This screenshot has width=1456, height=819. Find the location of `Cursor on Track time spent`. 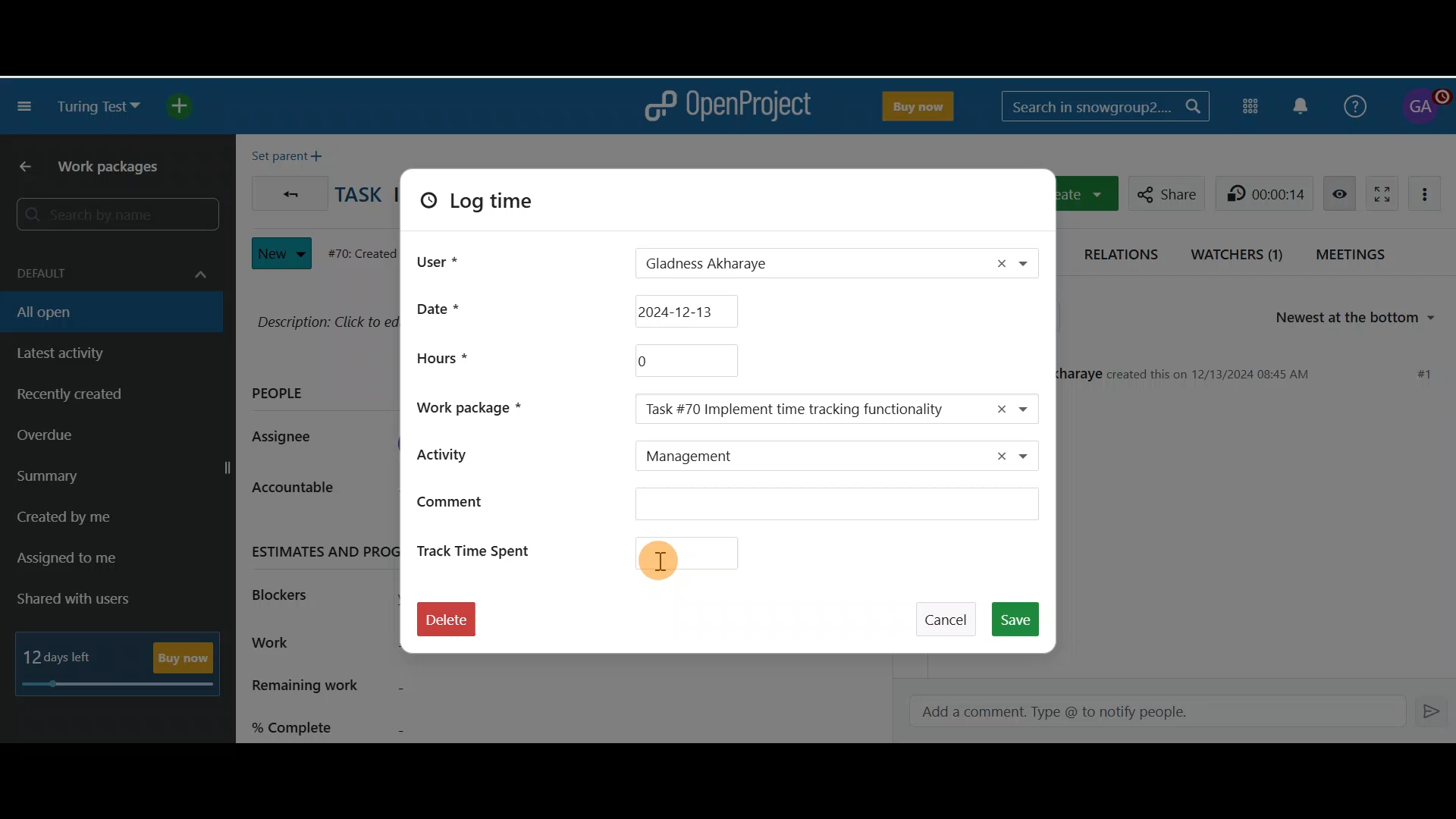

Cursor on Track time spent is located at coordinates (672, 569).